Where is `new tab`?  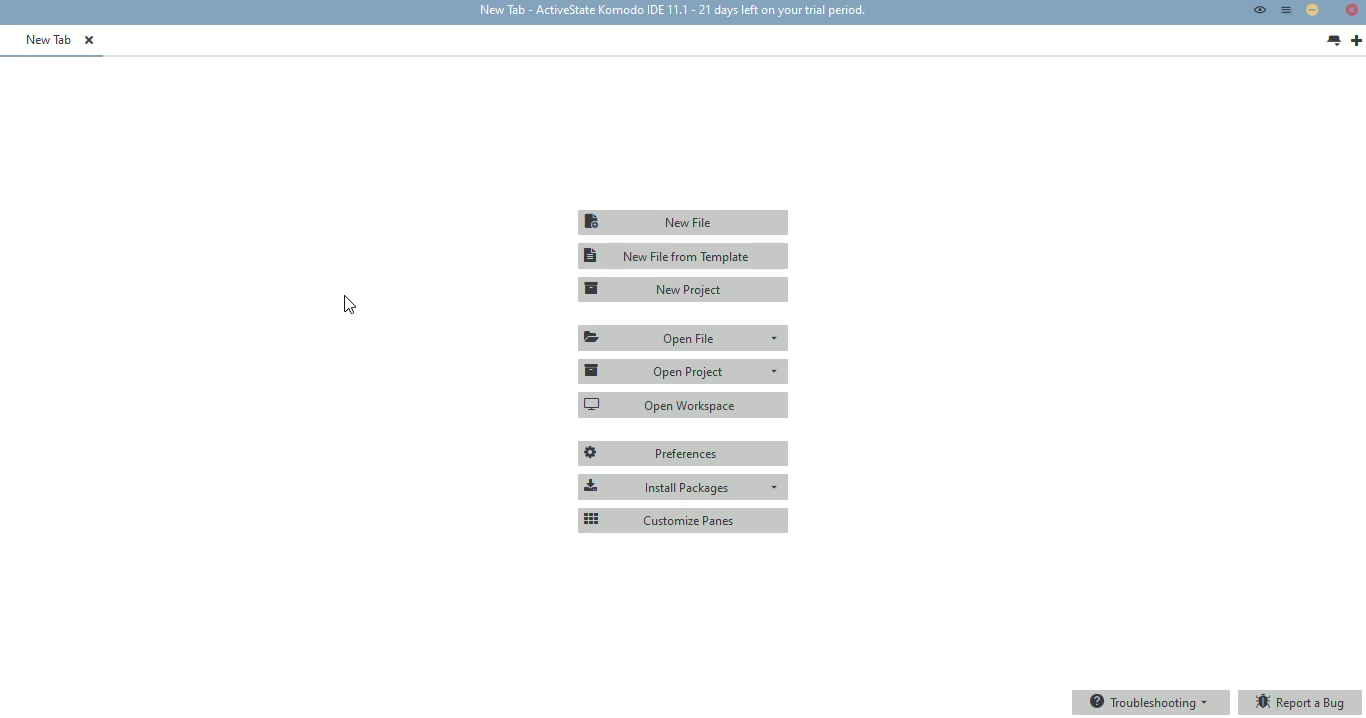
new tab is located at coordinates (672, 10).